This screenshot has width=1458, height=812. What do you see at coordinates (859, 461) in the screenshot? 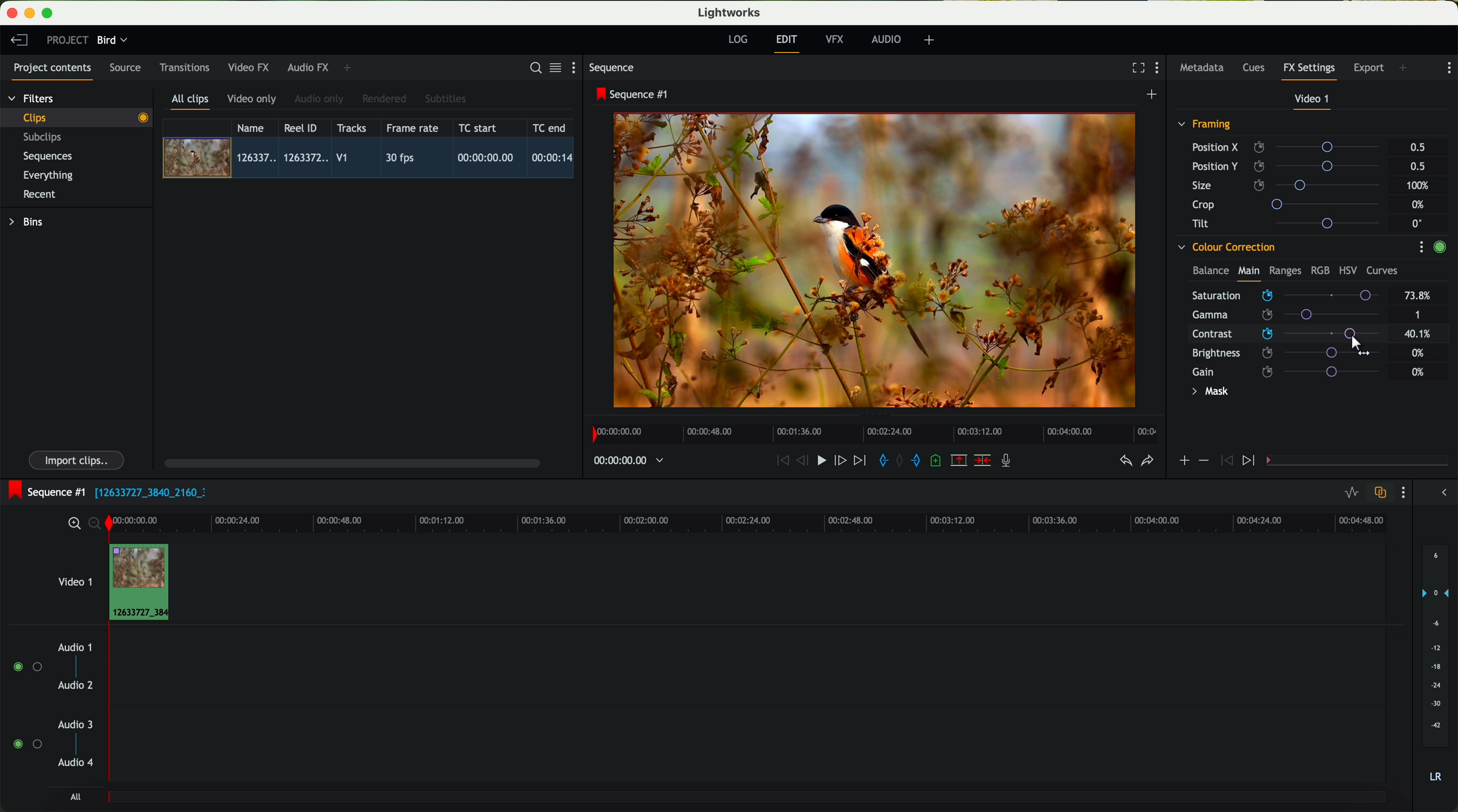
I see `move foward` at bounding box center [859, 461].